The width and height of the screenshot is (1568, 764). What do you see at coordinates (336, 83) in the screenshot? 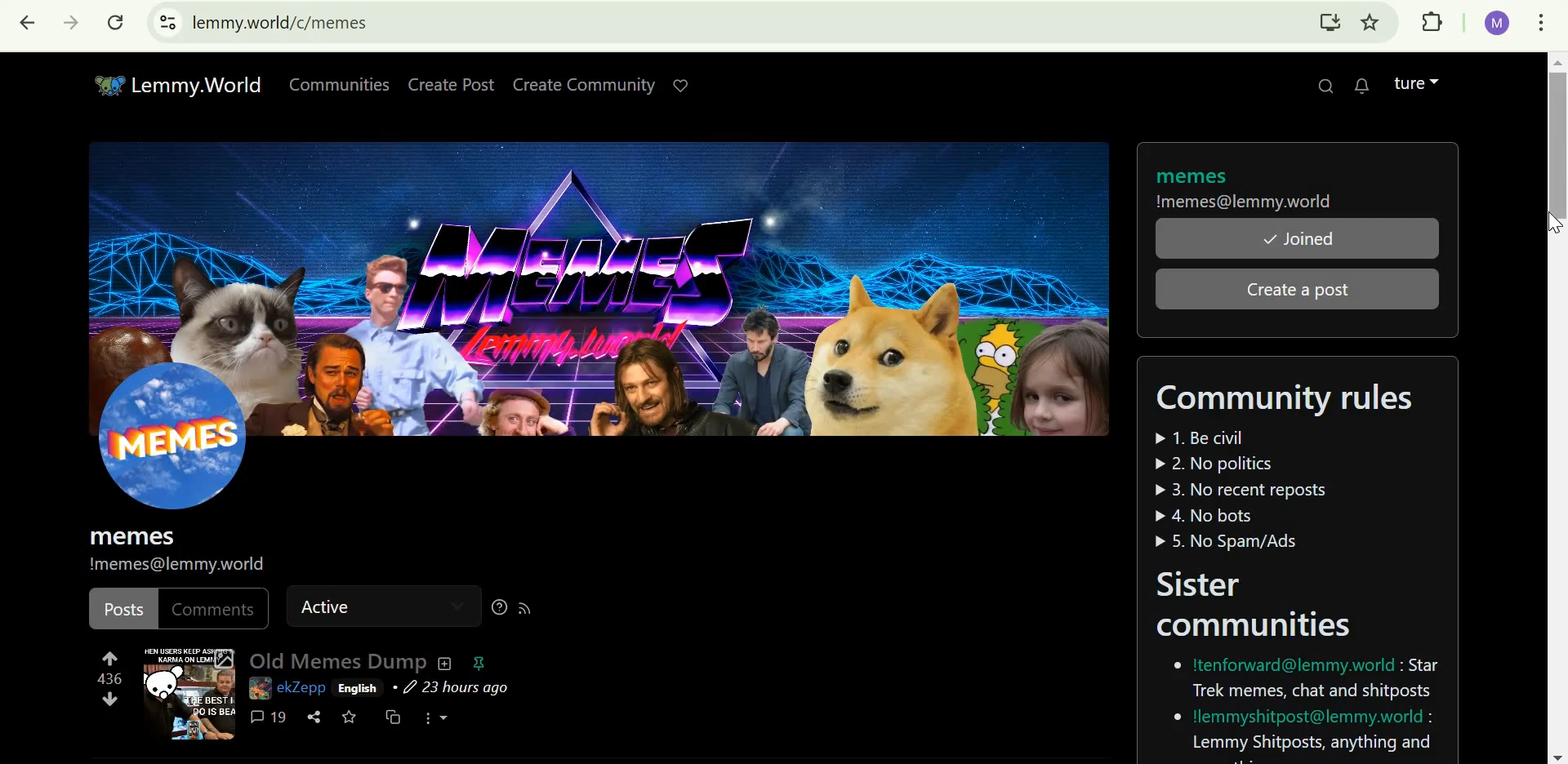
I see `communities` at bounding box center [336, 83].